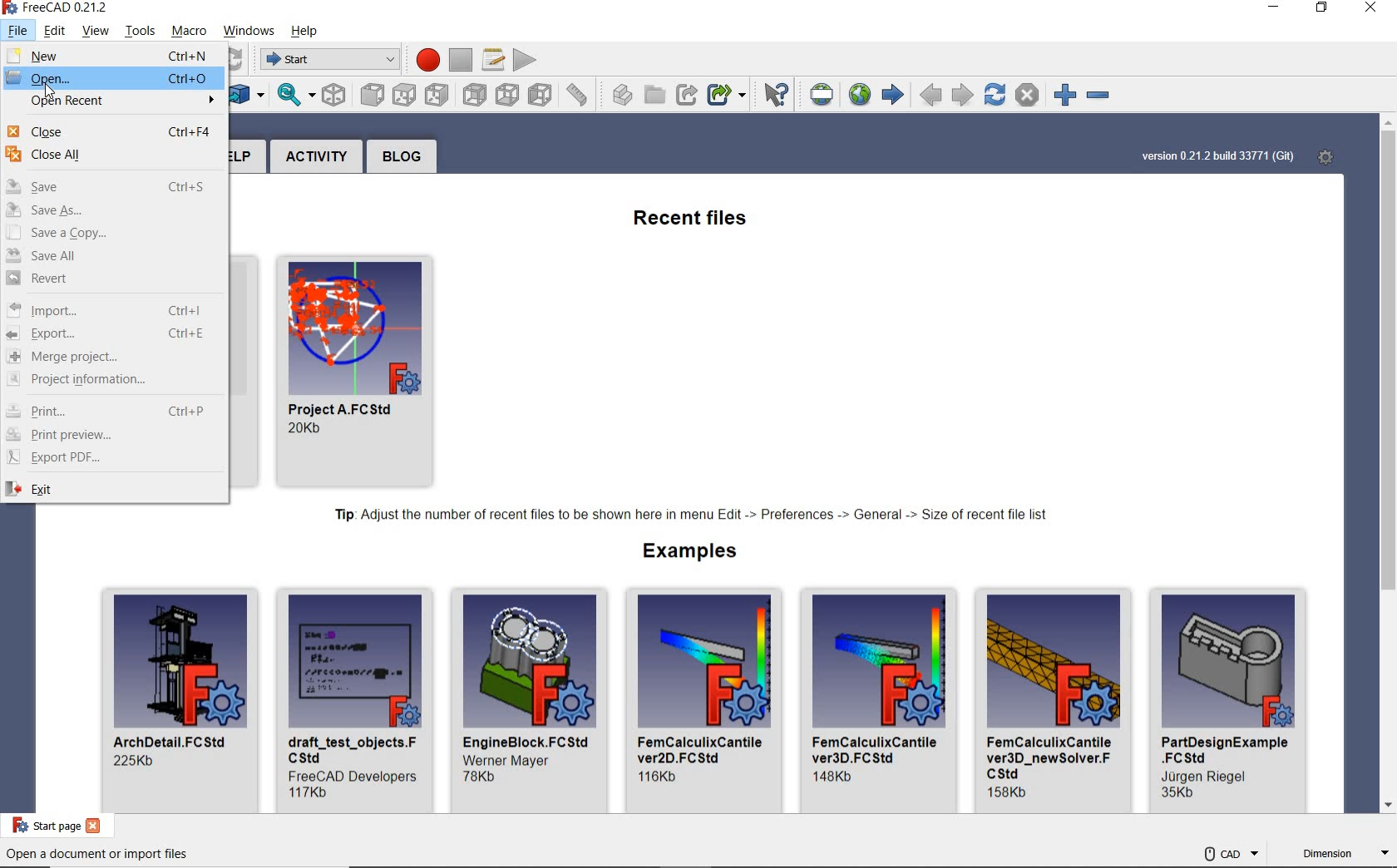 Image resolution: width=1397 pixels, height=868 pixels. What do you see at coordinates (513, 760) in the screenshot?
I see `dev name` at bounding box center [513, 760].